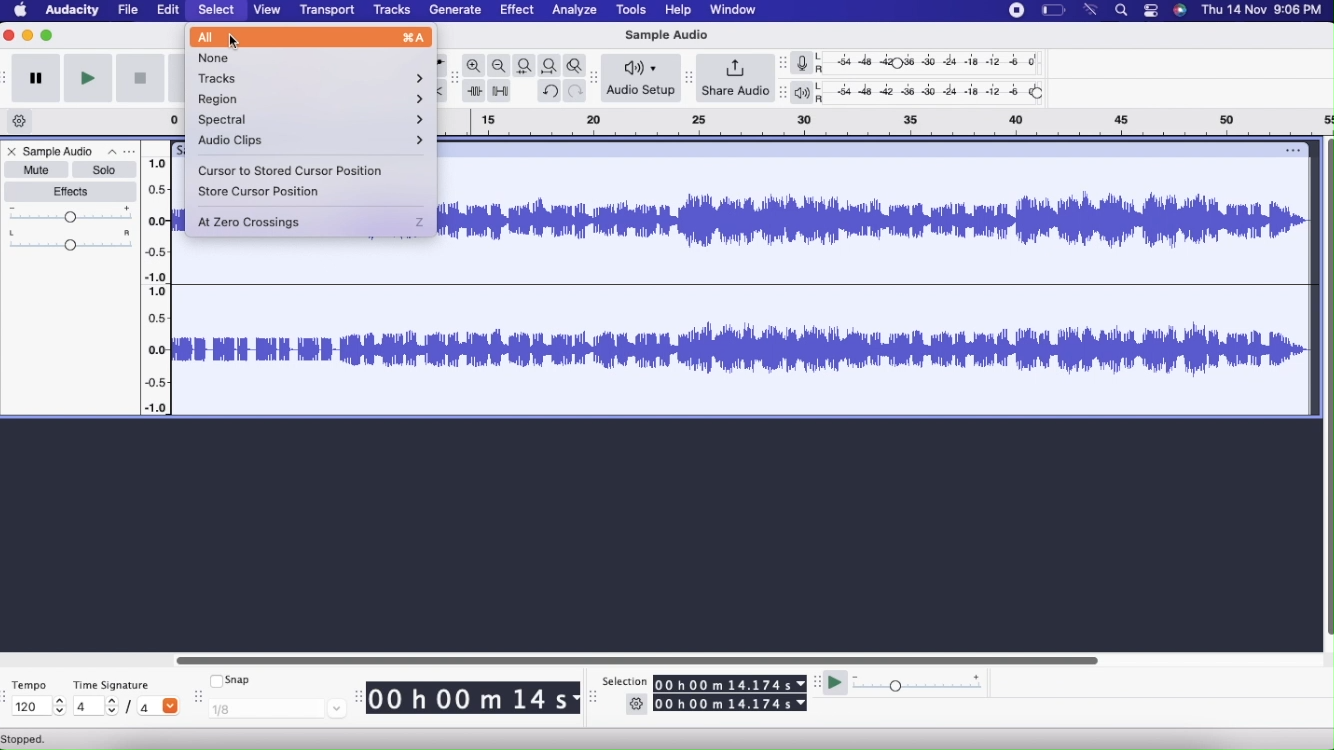 This screenshot has width=1334, height=750. Describe the element at coordinates (71, 191) in the screenshot. I see `Effects` at that location.